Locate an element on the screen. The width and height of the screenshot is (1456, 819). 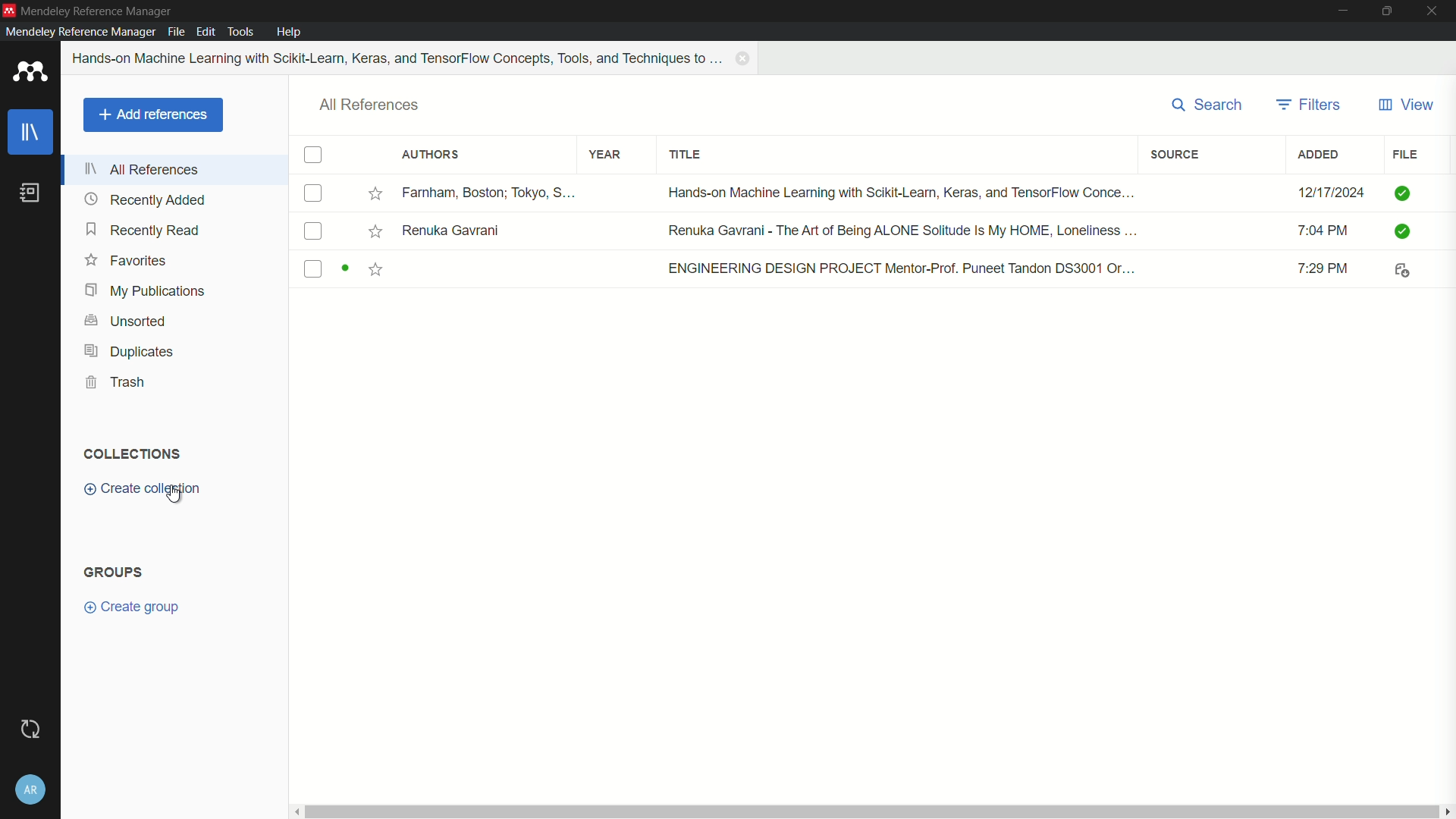
create group is located at coordinates (133, 606).